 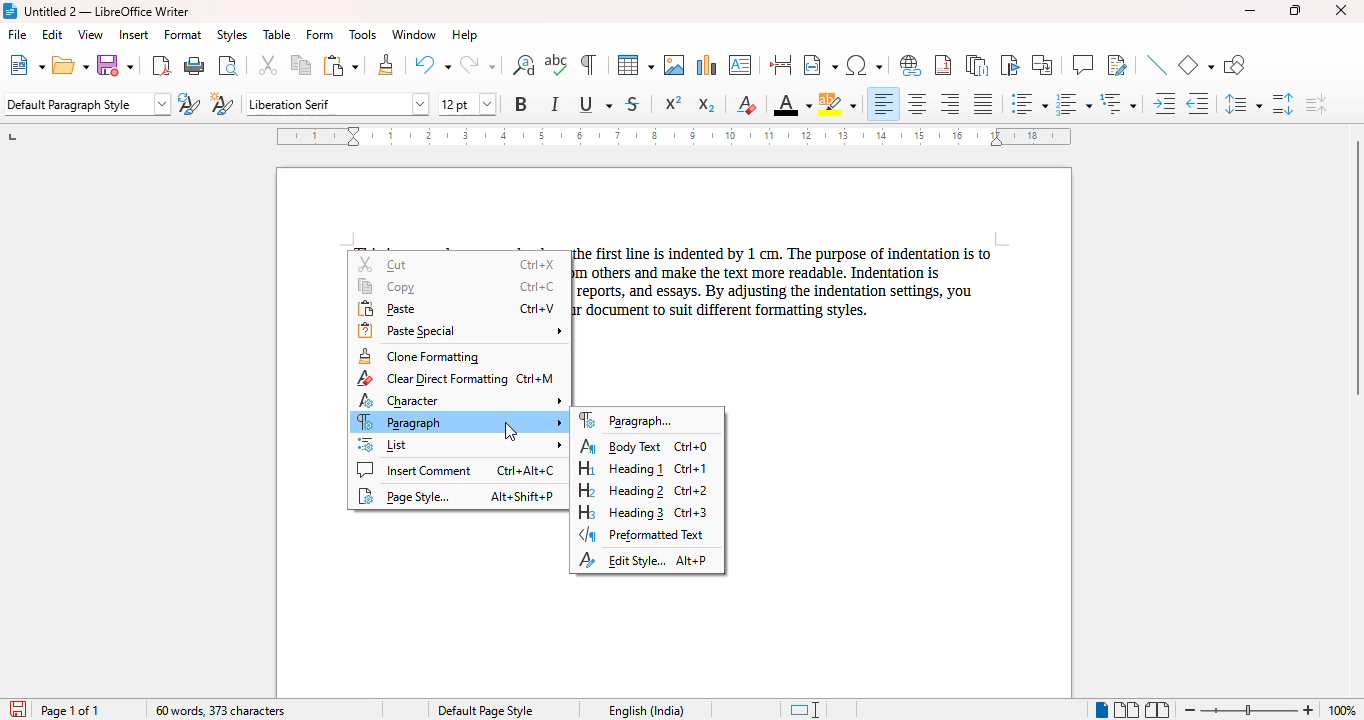 I want to click on insert, so click(x=132, y=35).